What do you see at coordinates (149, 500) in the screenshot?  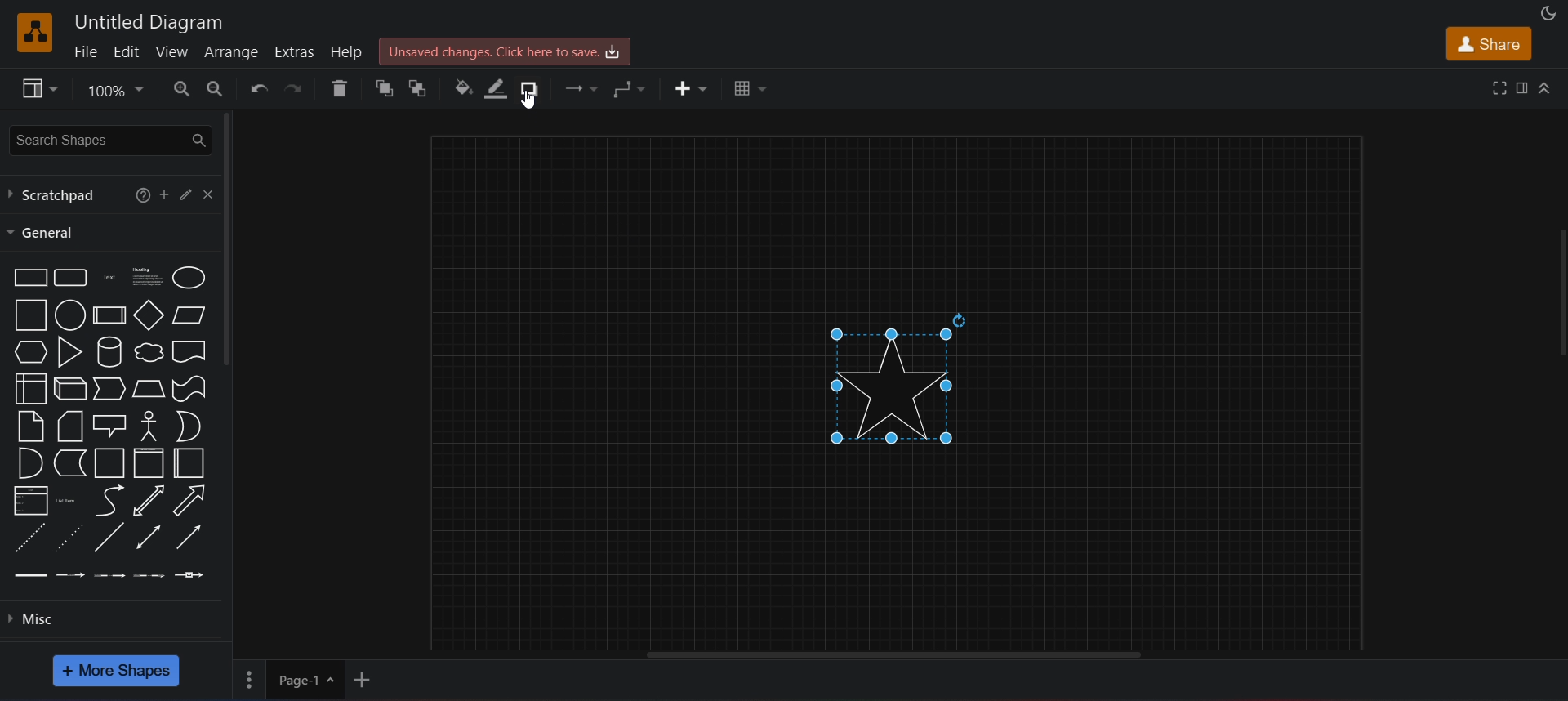 I see `directional arrow` at bounding box center [149, 500].